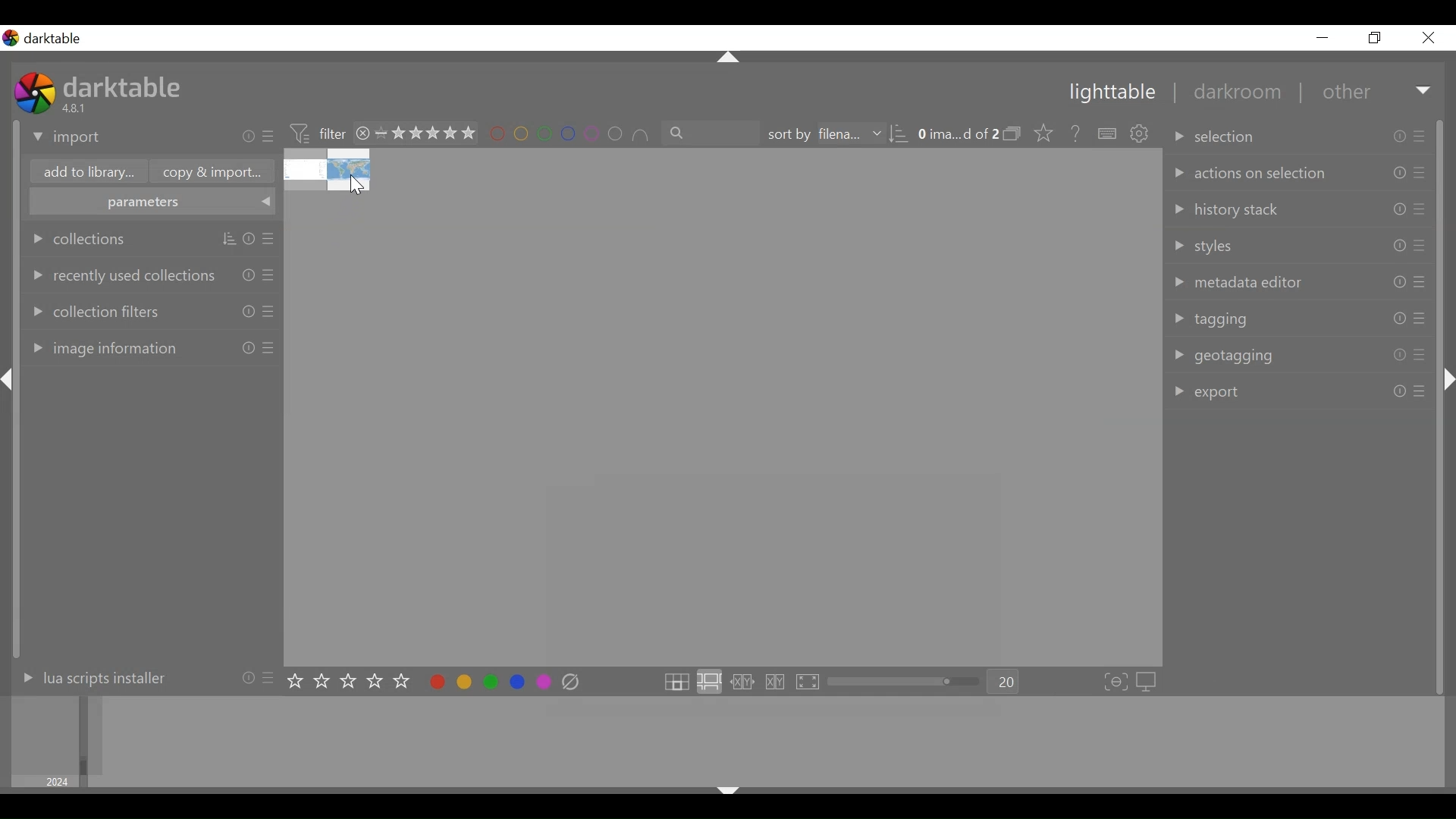 The width and height of the screenshot is (1456, 819). I want to click on , so click(728, 58).